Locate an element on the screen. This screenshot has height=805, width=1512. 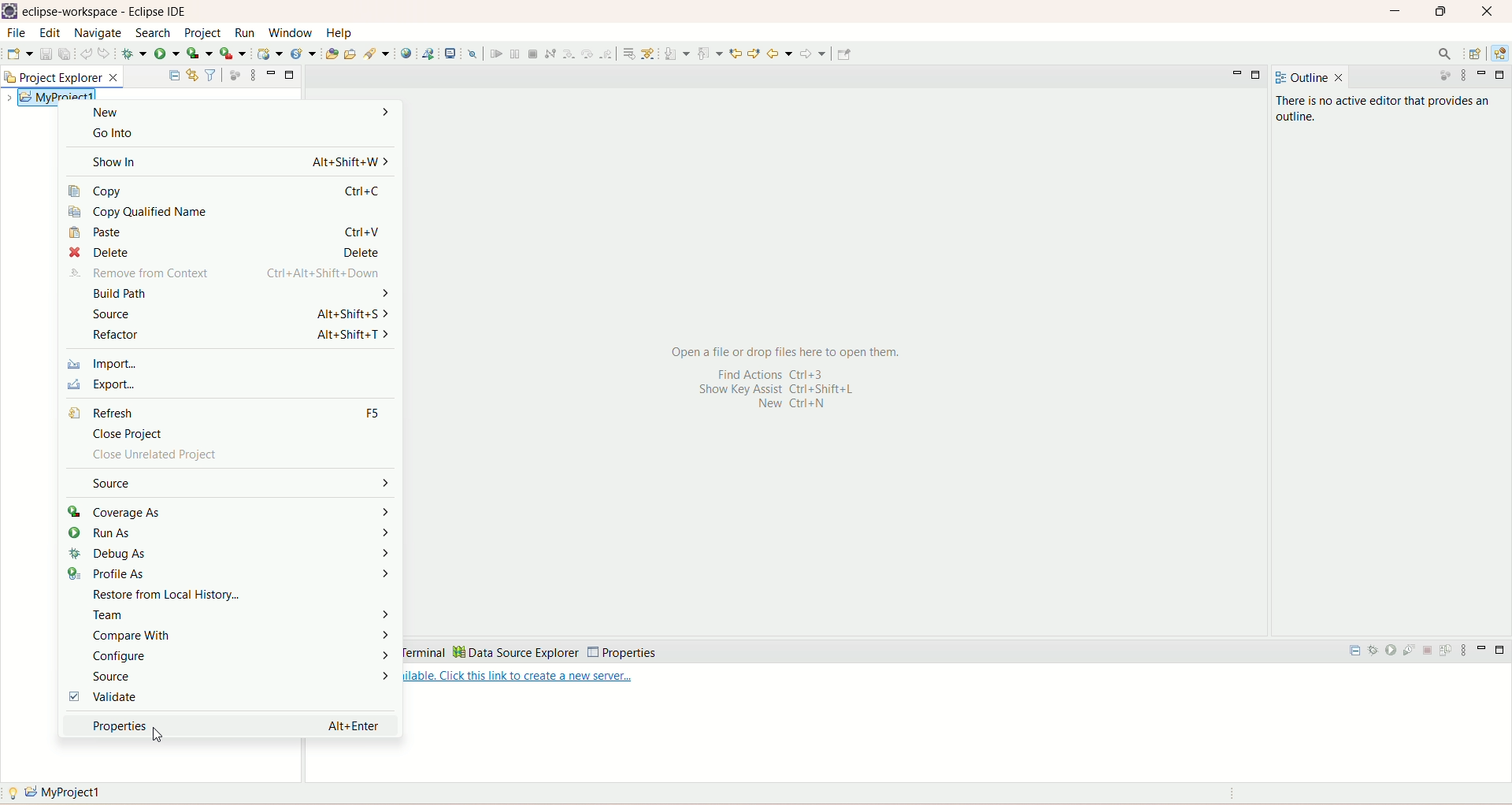
my project is located at coordinates (54, 793).